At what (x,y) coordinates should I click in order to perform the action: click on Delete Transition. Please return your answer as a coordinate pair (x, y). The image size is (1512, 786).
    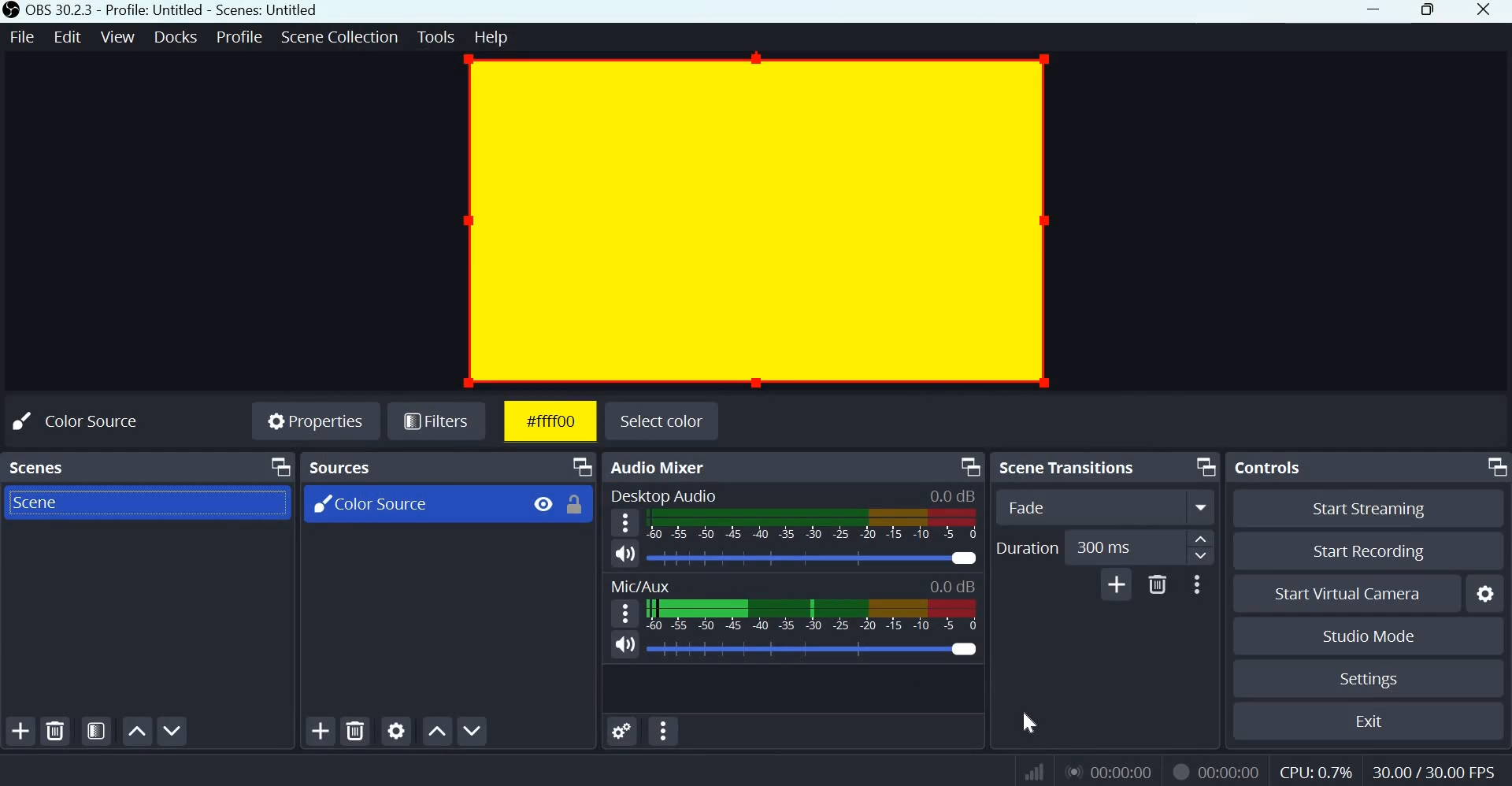
    Looking at the image, I should click on (1158, 584).